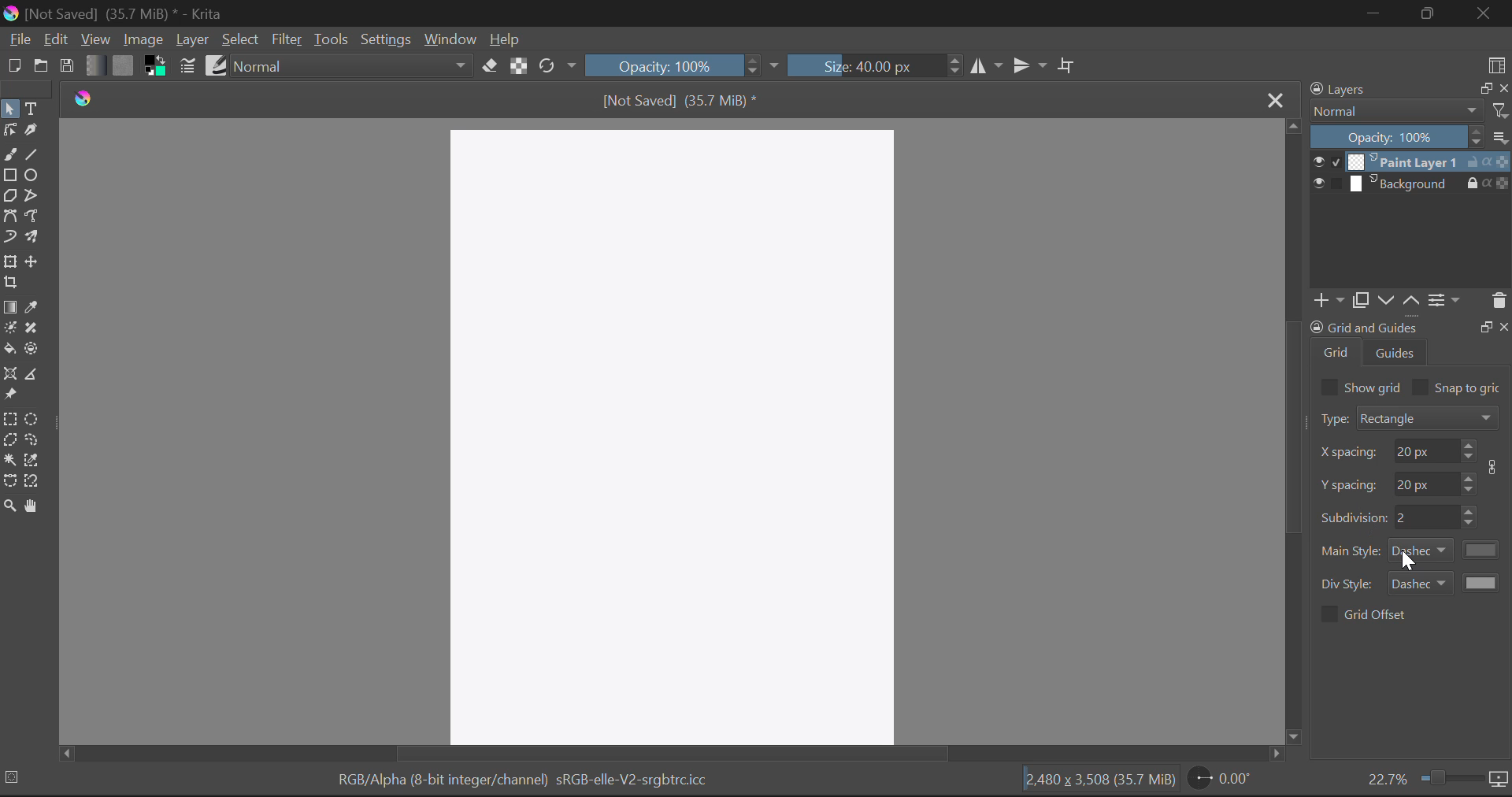 This screenshot has height=797, width=1512. Describe the element at coordinates (1408, 559) in the screenshot. I see `Cursor Position` at that location.